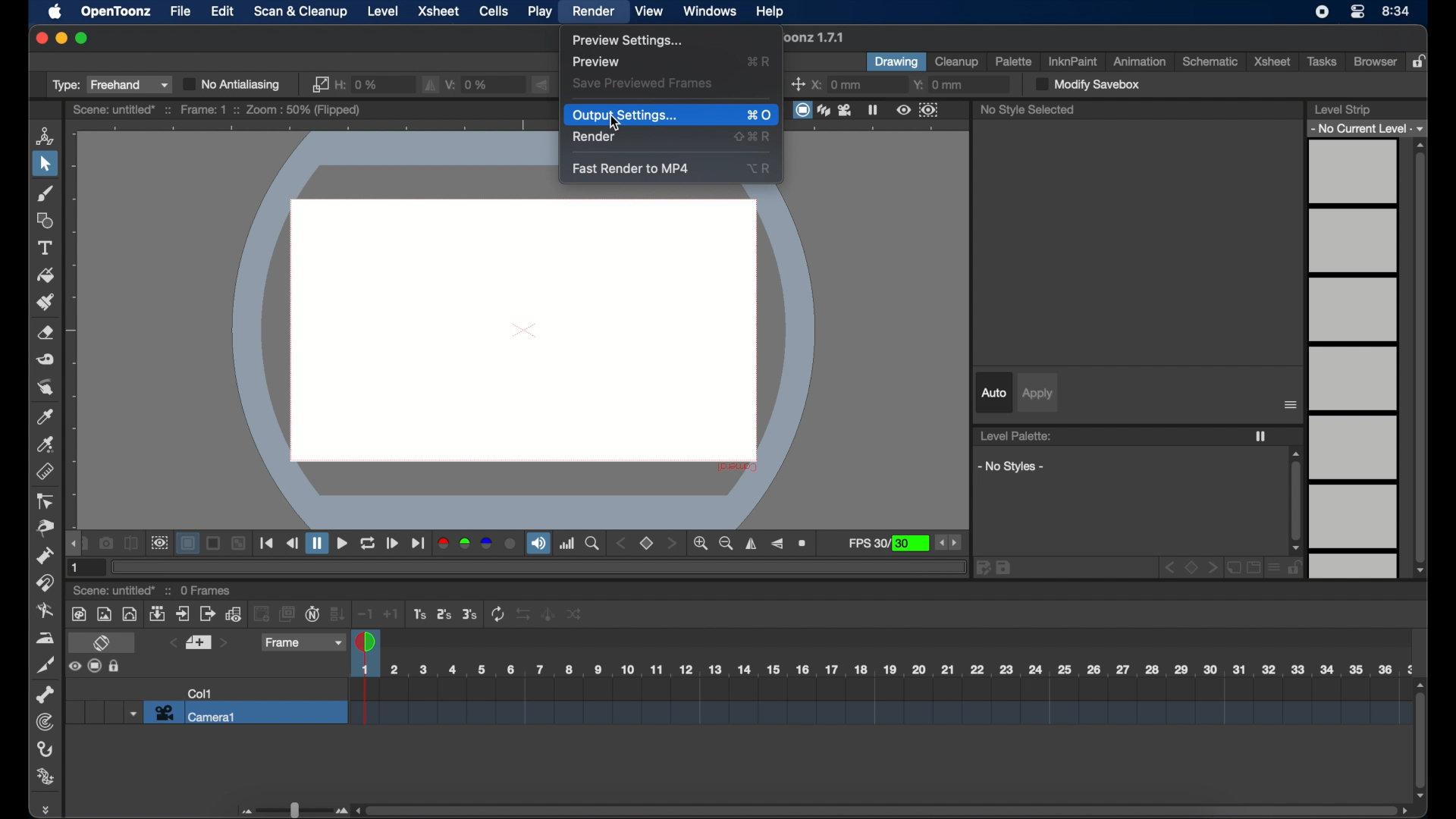 The width and height of the screenshot is (1456, 819). I want to click on preview, so click(918, 110).